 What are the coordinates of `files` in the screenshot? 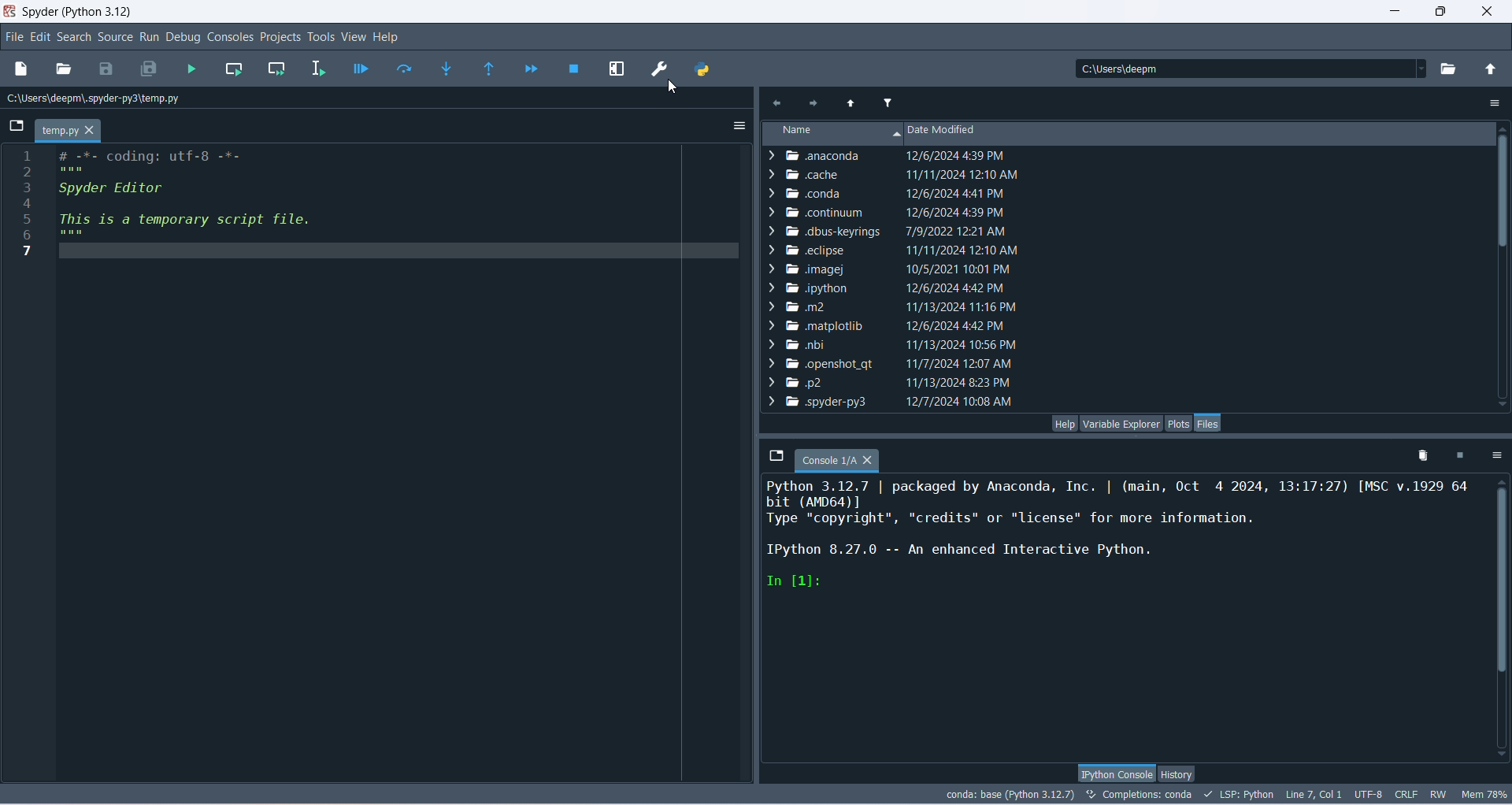 It's located at (1207, 423).